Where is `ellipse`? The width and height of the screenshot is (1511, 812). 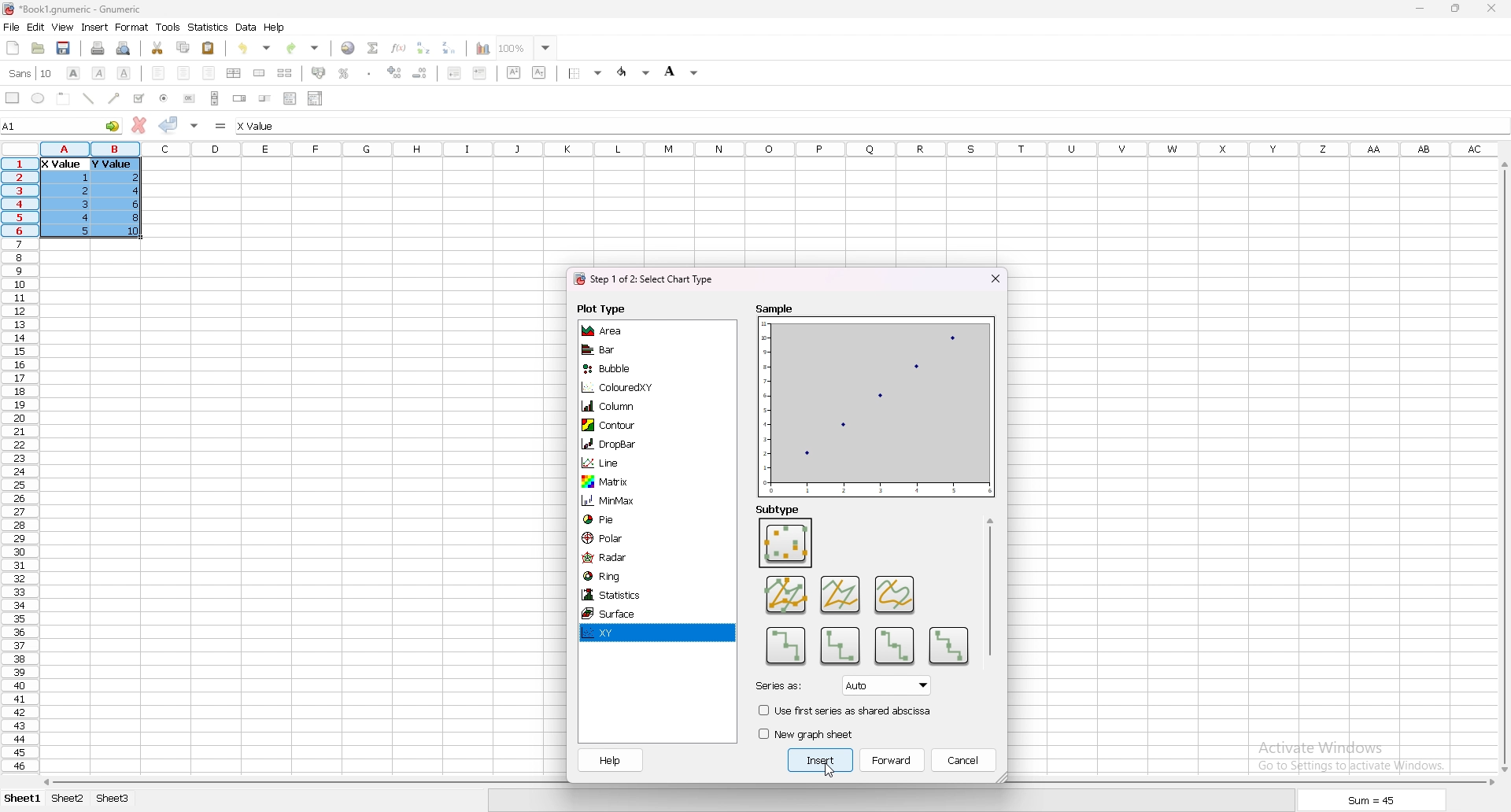 ellipse is located at coordinates (38, 98).